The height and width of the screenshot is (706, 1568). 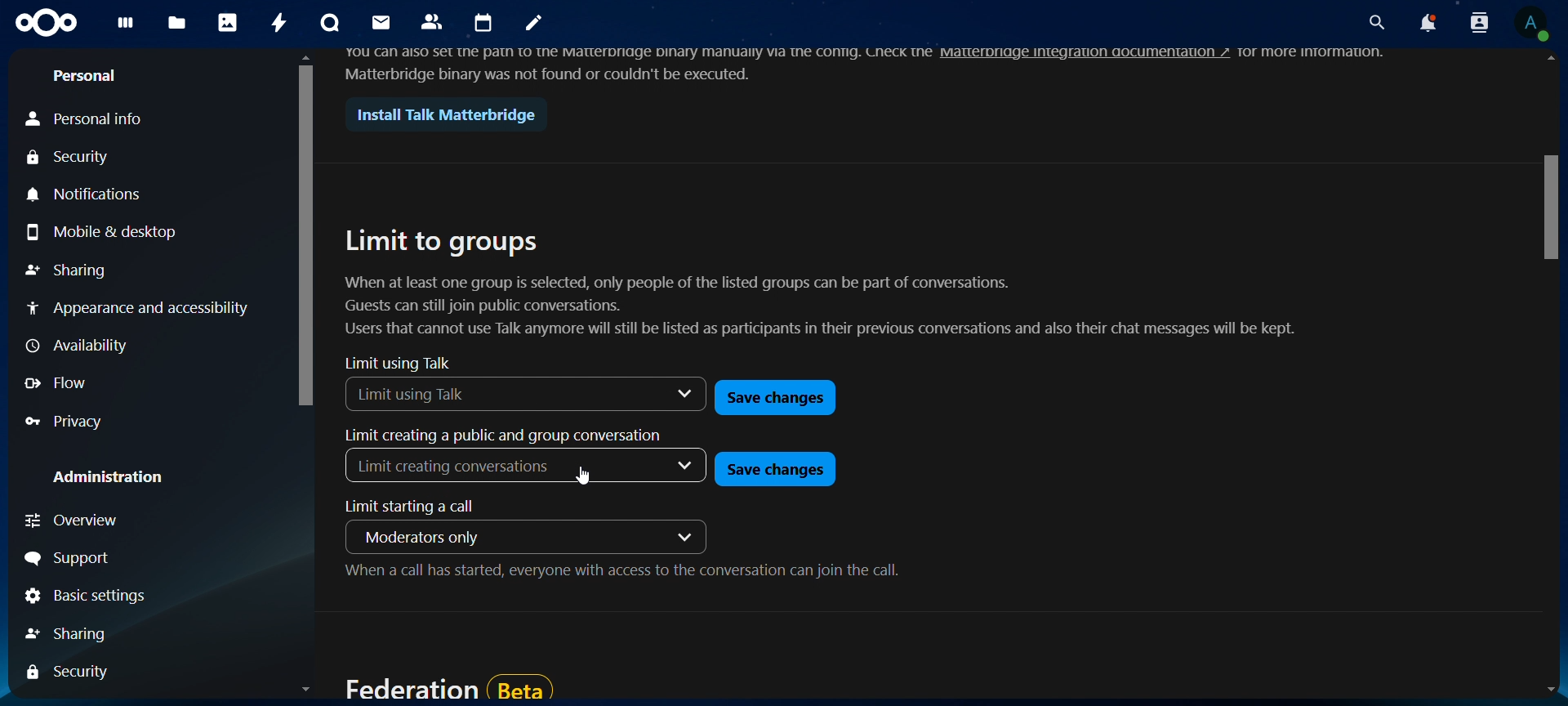 I want to click on Administration, so click(x=97, y=480).